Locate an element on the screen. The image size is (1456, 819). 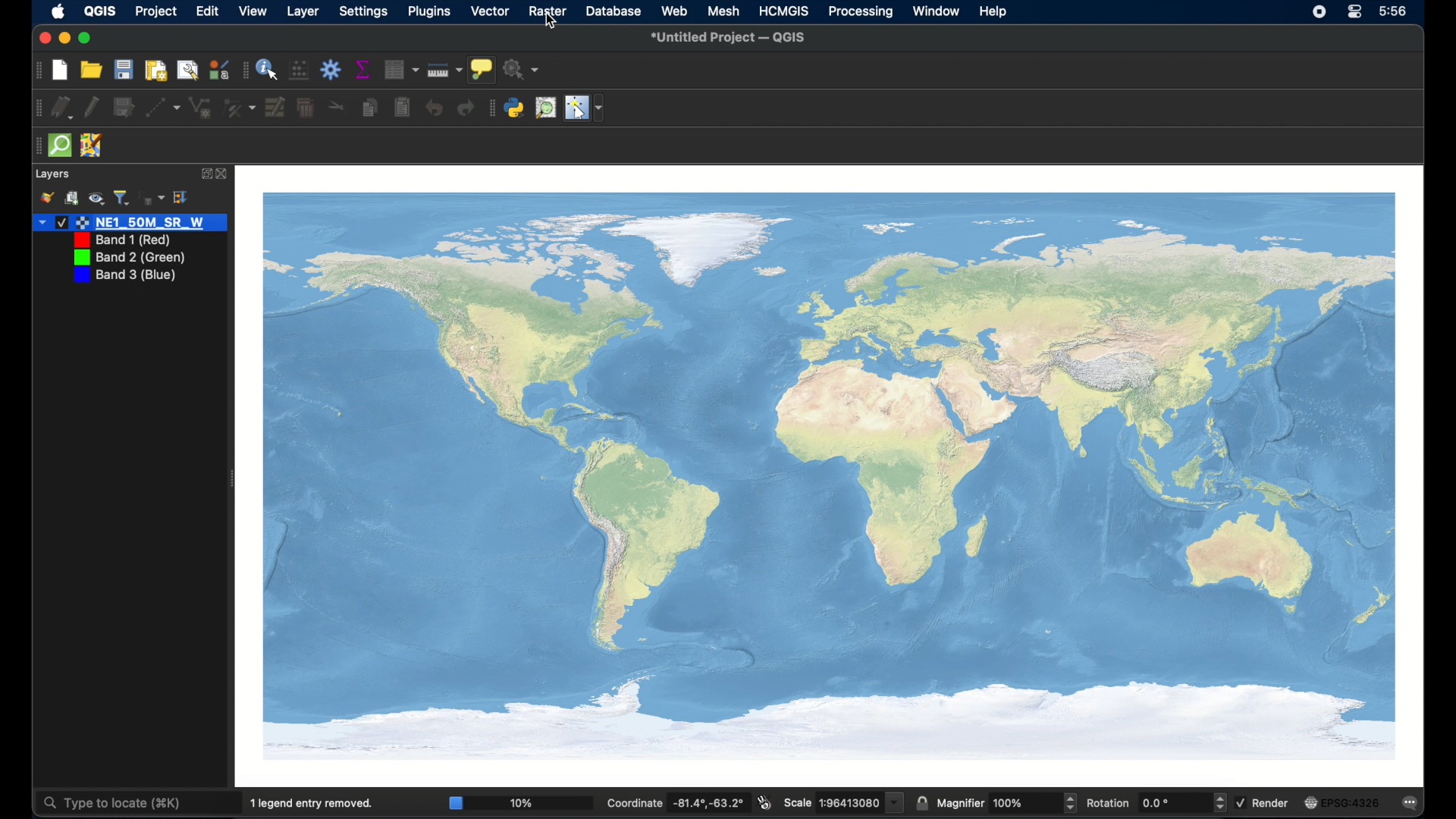
QGIS is located at coordinates (102, 11).